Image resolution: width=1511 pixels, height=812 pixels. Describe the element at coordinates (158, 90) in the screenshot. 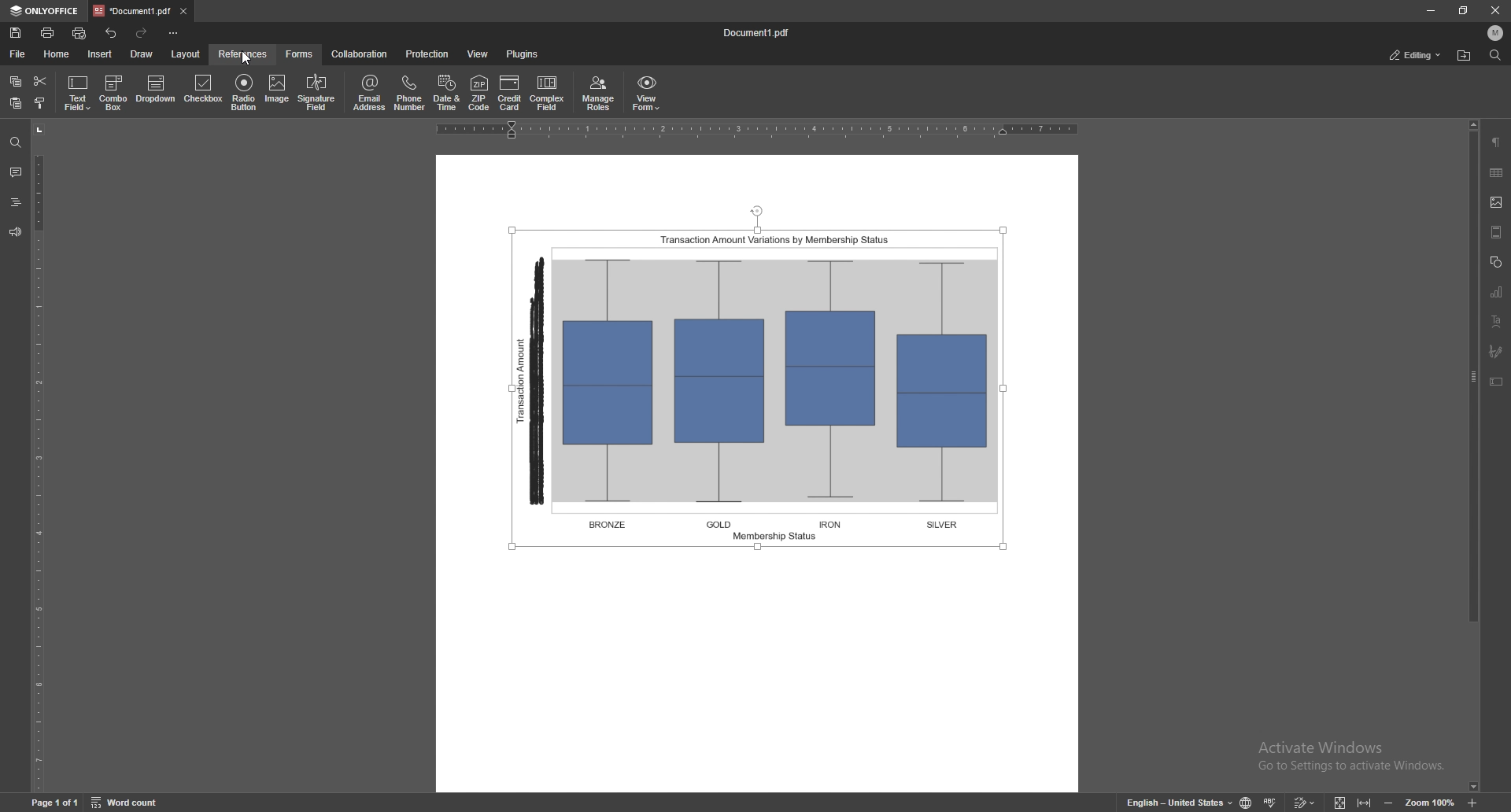

I see `dropdown` at that location.